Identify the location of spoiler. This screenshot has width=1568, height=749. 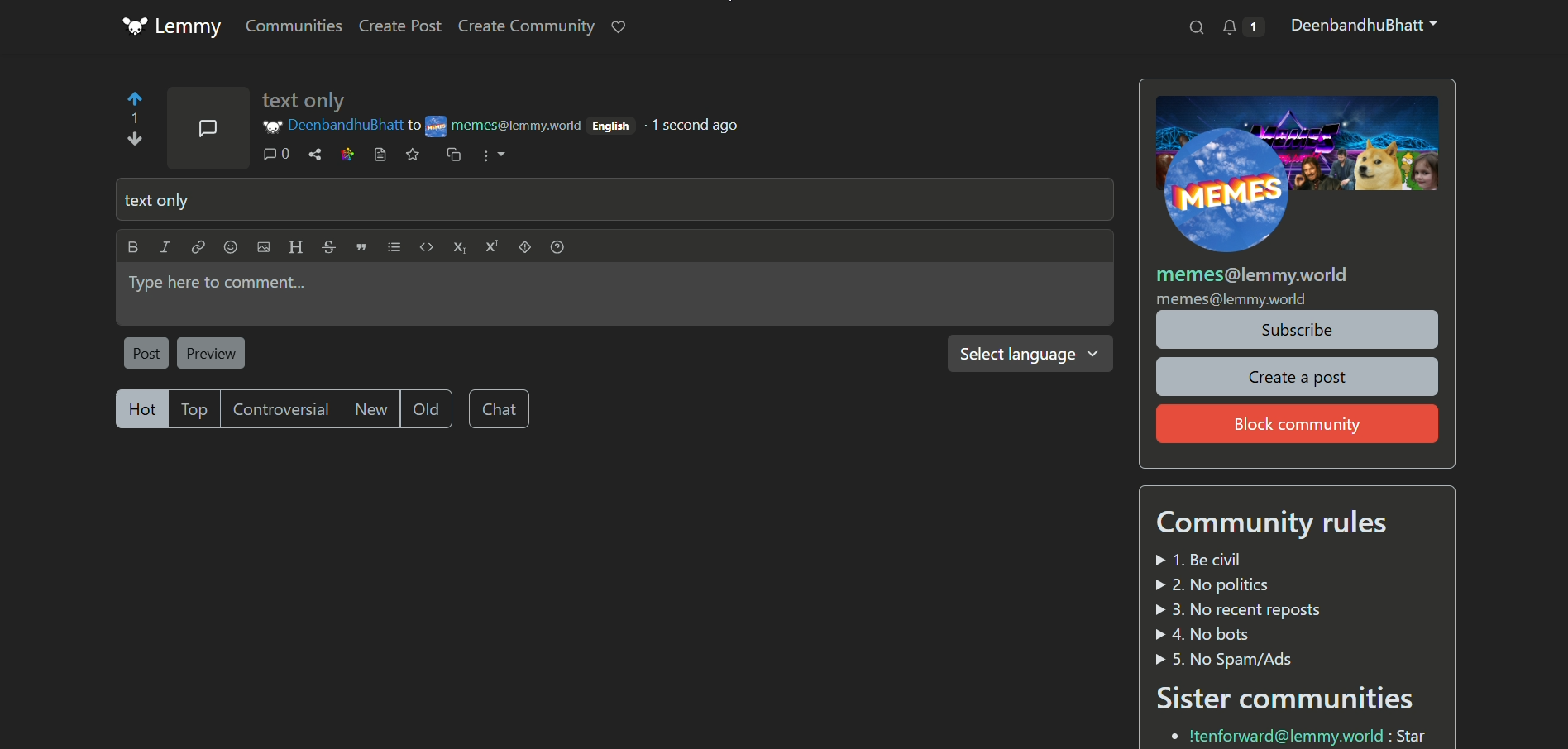
(526, 246).